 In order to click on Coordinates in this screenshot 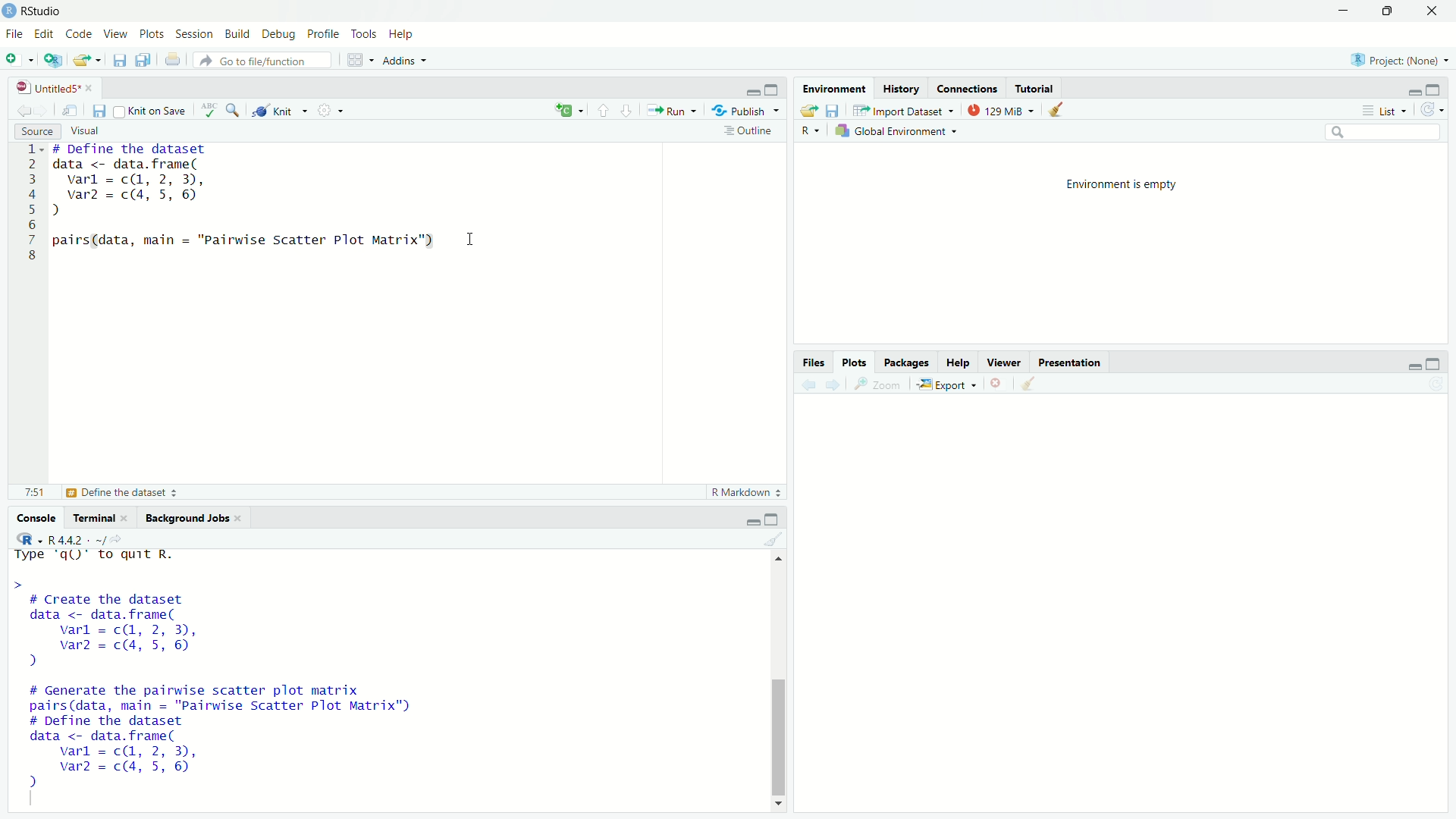, I will do `click(968, 88)`.